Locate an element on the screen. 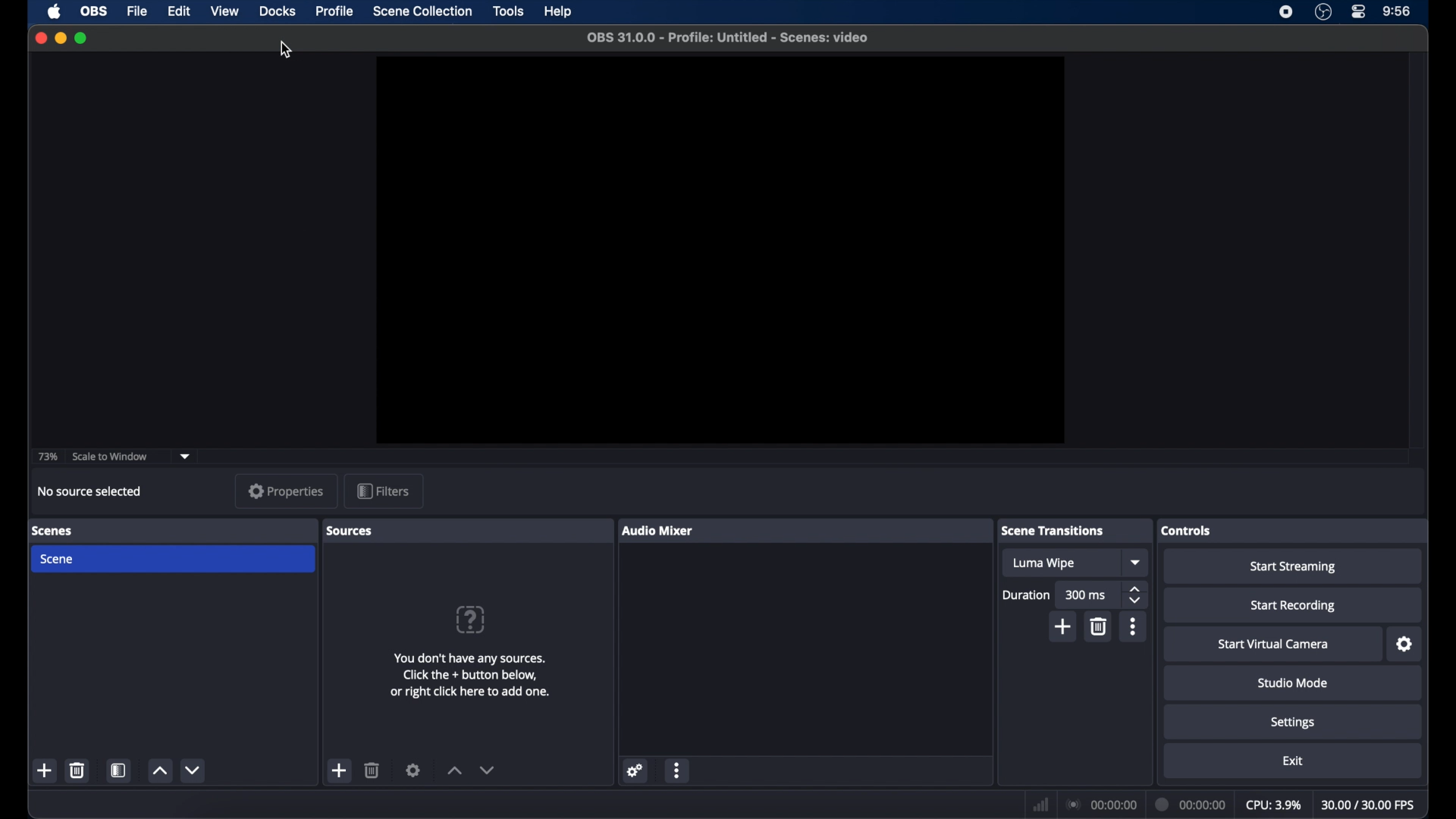 The width and height of the screenshot is (1456, 819). scene transitions is located at coordinates (1065, 531).